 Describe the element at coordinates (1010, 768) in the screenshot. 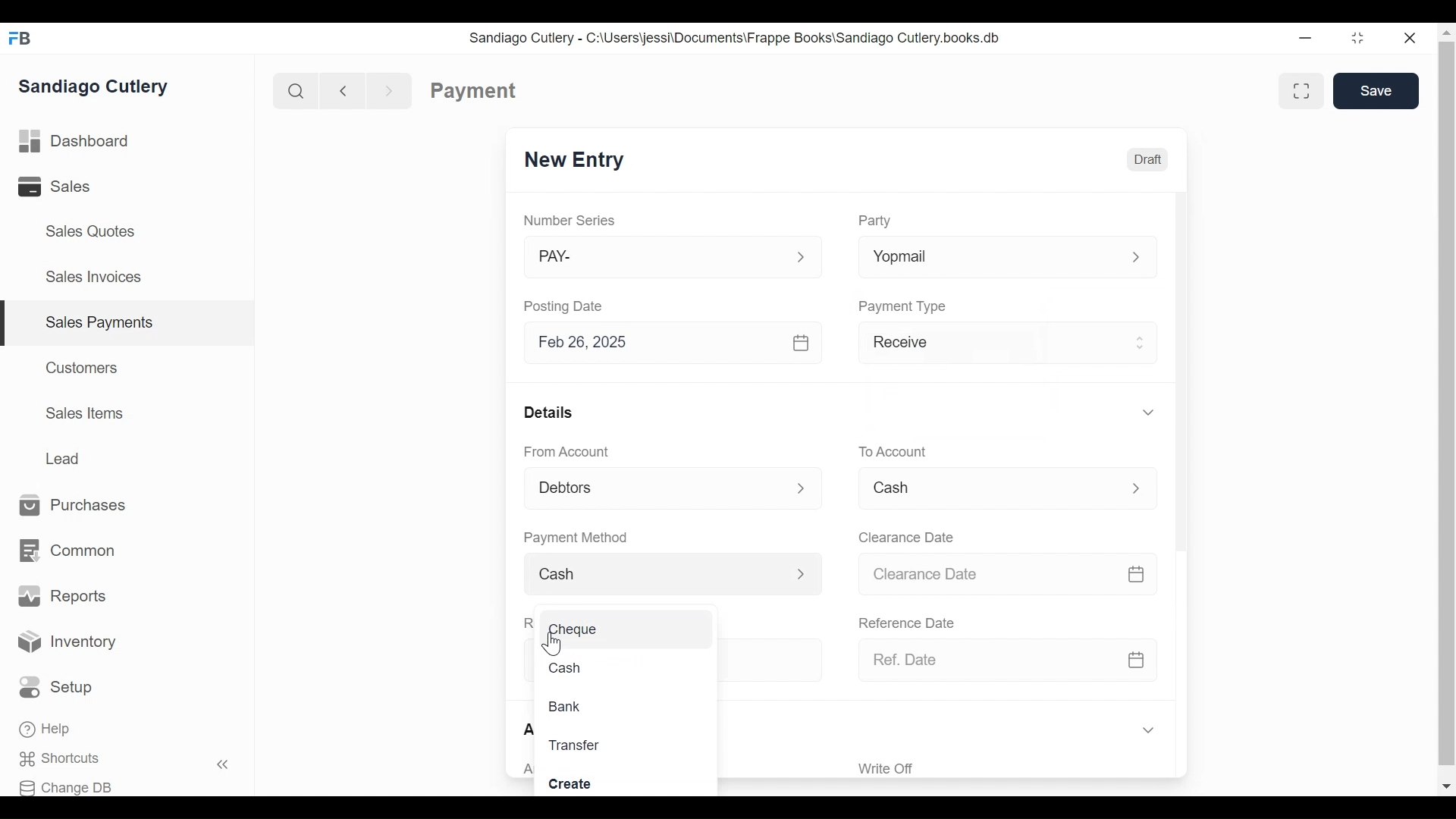

I see `‘Write Off` at that location.